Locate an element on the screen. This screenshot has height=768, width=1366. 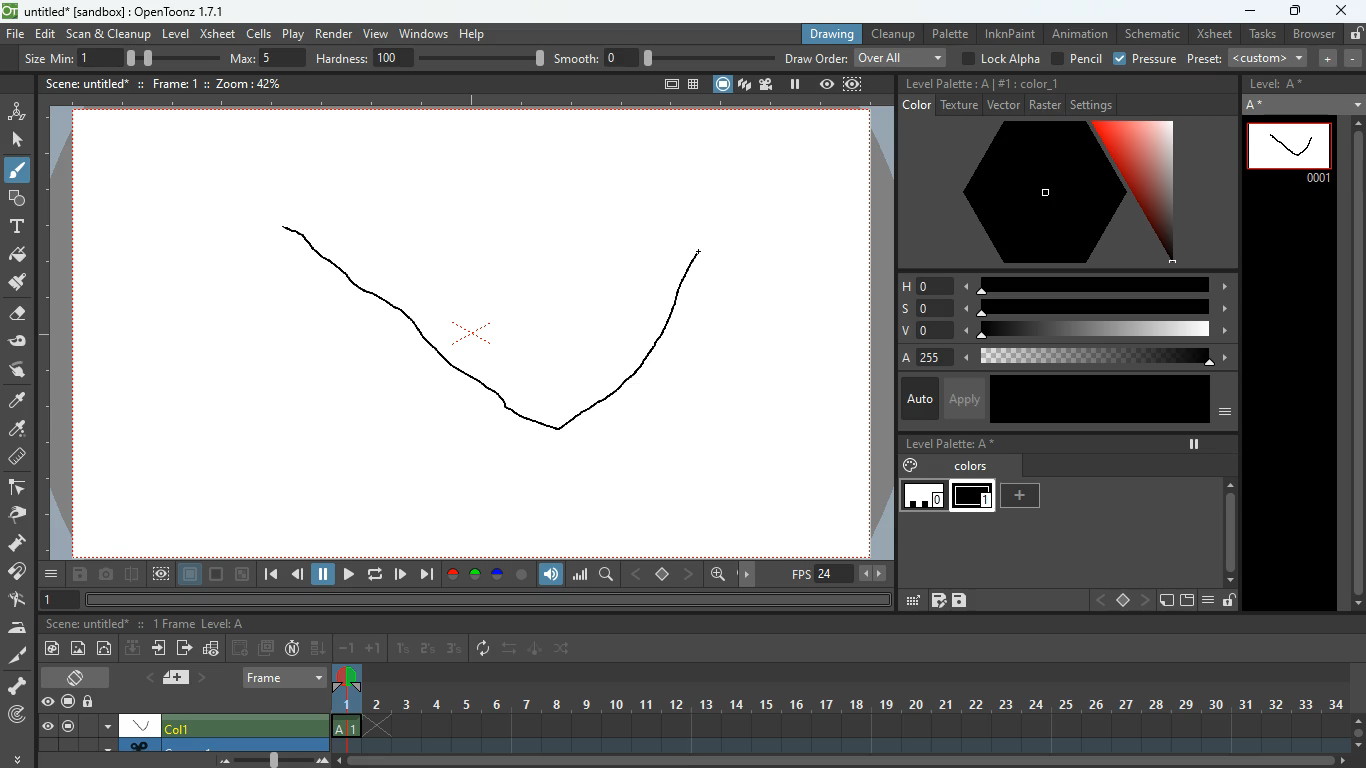
radar is located at coordinates (19, 716).